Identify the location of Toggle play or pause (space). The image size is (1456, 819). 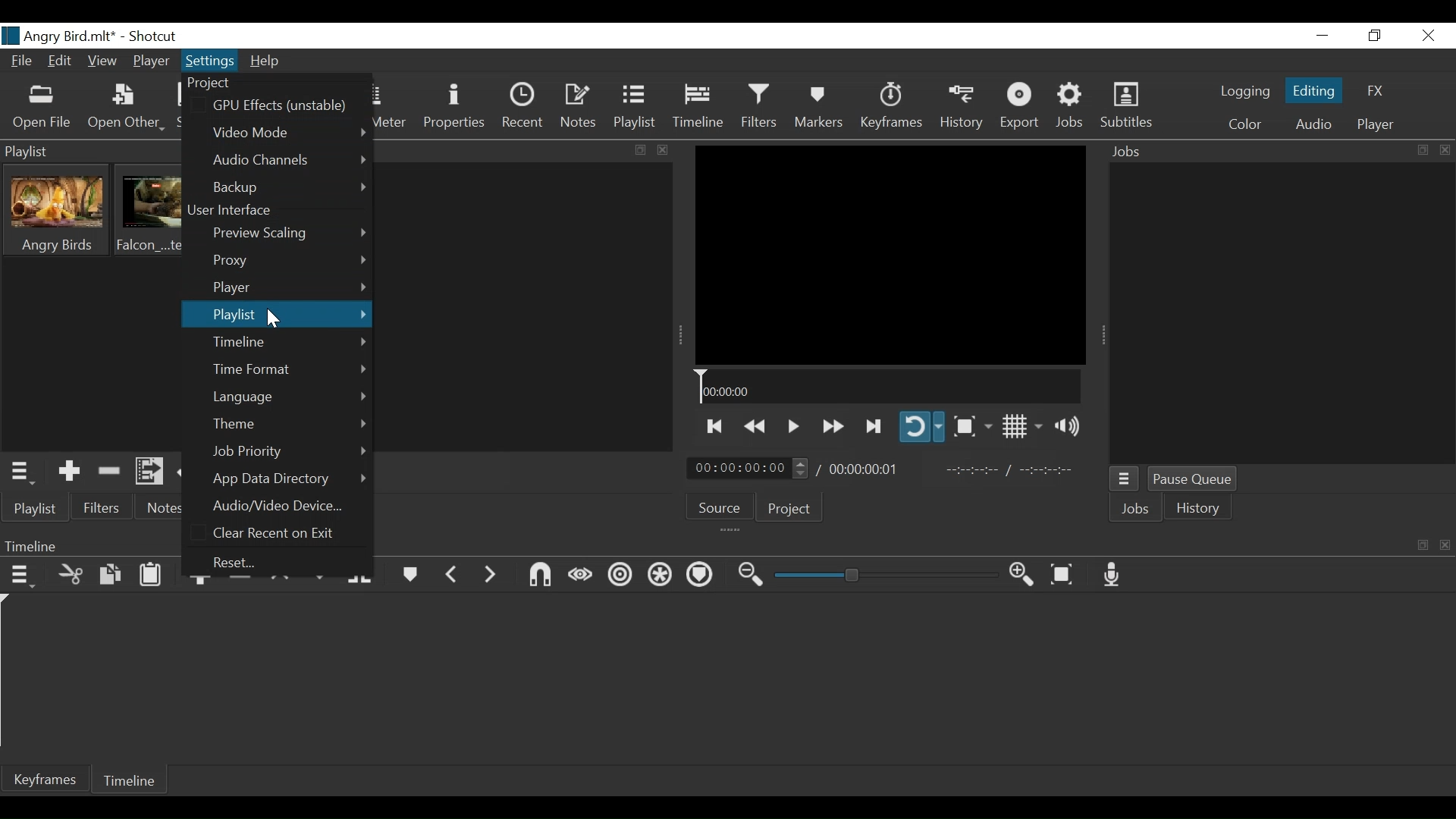
(792, 425).